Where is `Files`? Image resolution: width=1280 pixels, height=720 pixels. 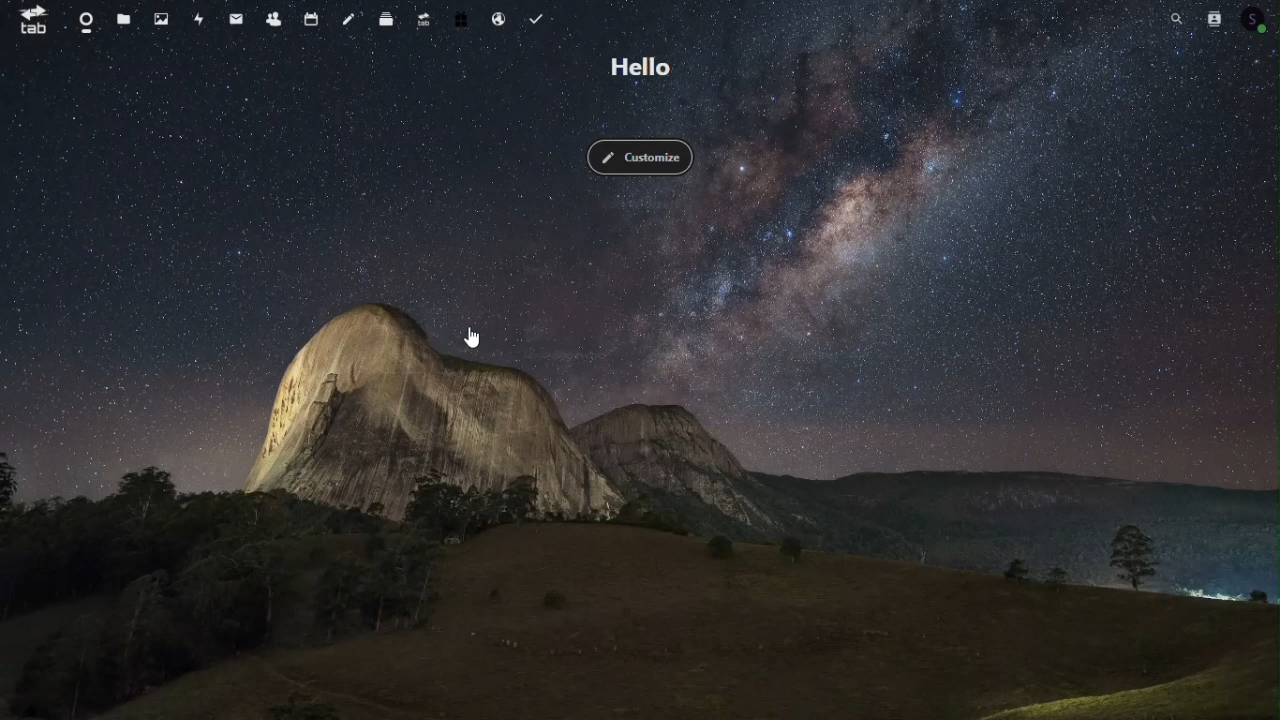
Files is located at coordinates (125, 21).